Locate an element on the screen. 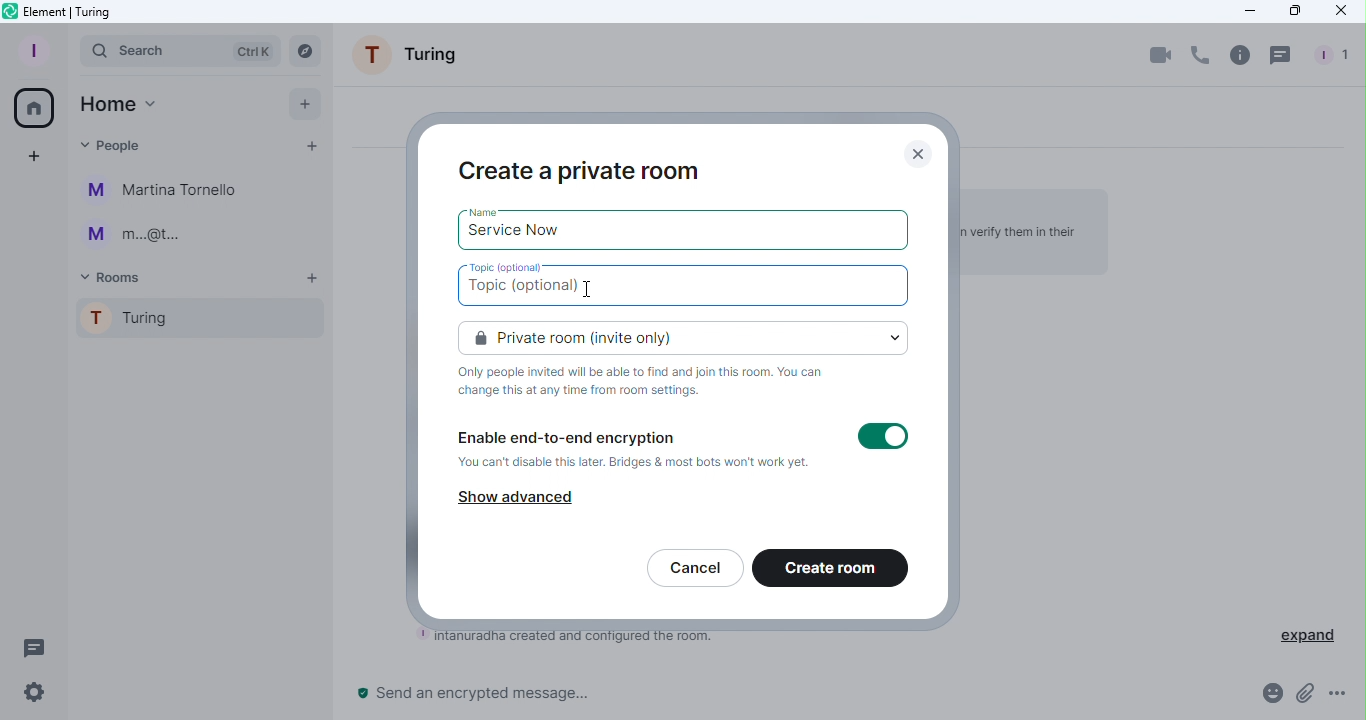  Name is located at coordinates (486, 209).